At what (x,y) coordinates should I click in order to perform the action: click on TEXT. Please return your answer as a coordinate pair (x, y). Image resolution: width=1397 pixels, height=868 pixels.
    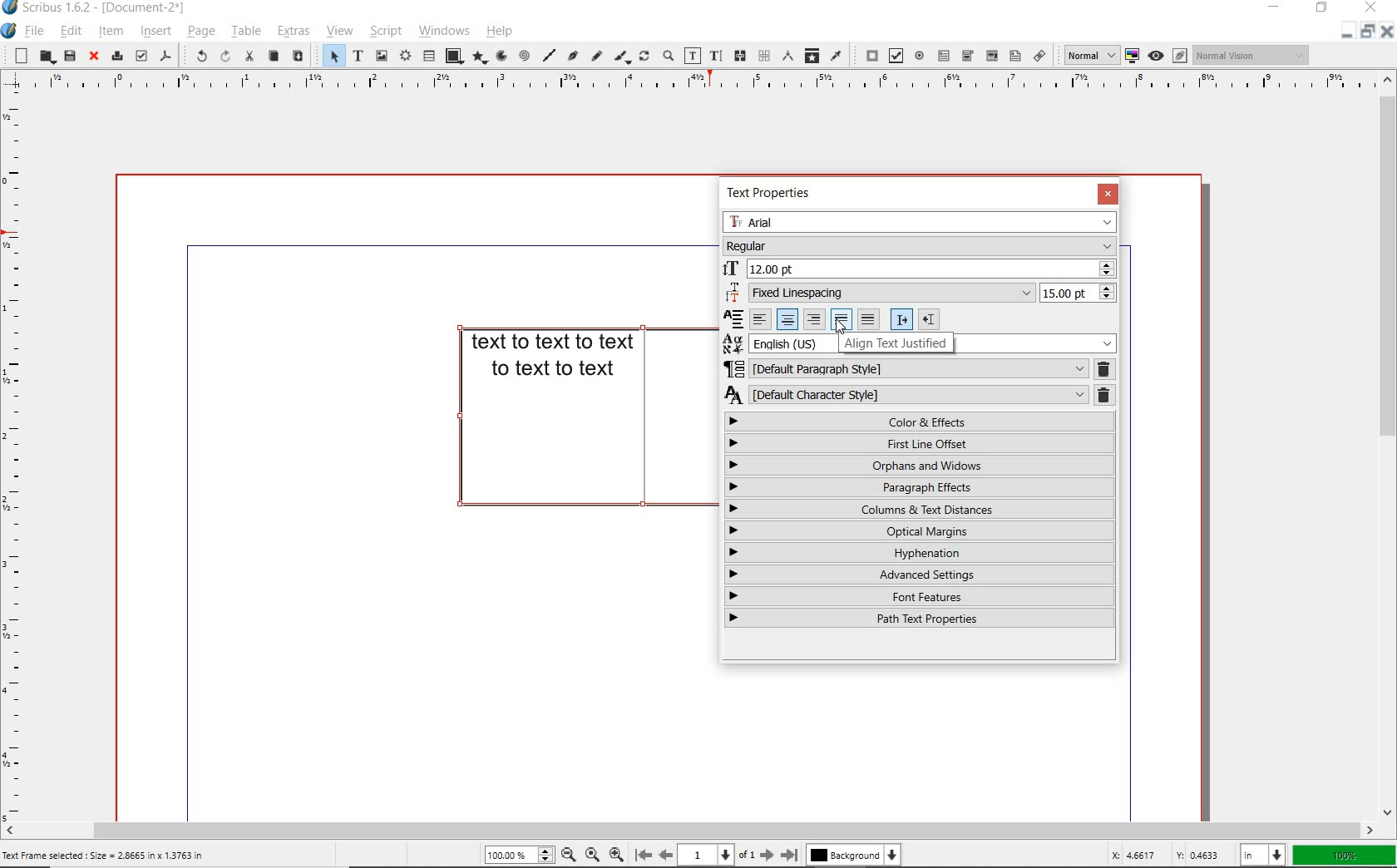
    Looking at the image, I should click on (554, 357).